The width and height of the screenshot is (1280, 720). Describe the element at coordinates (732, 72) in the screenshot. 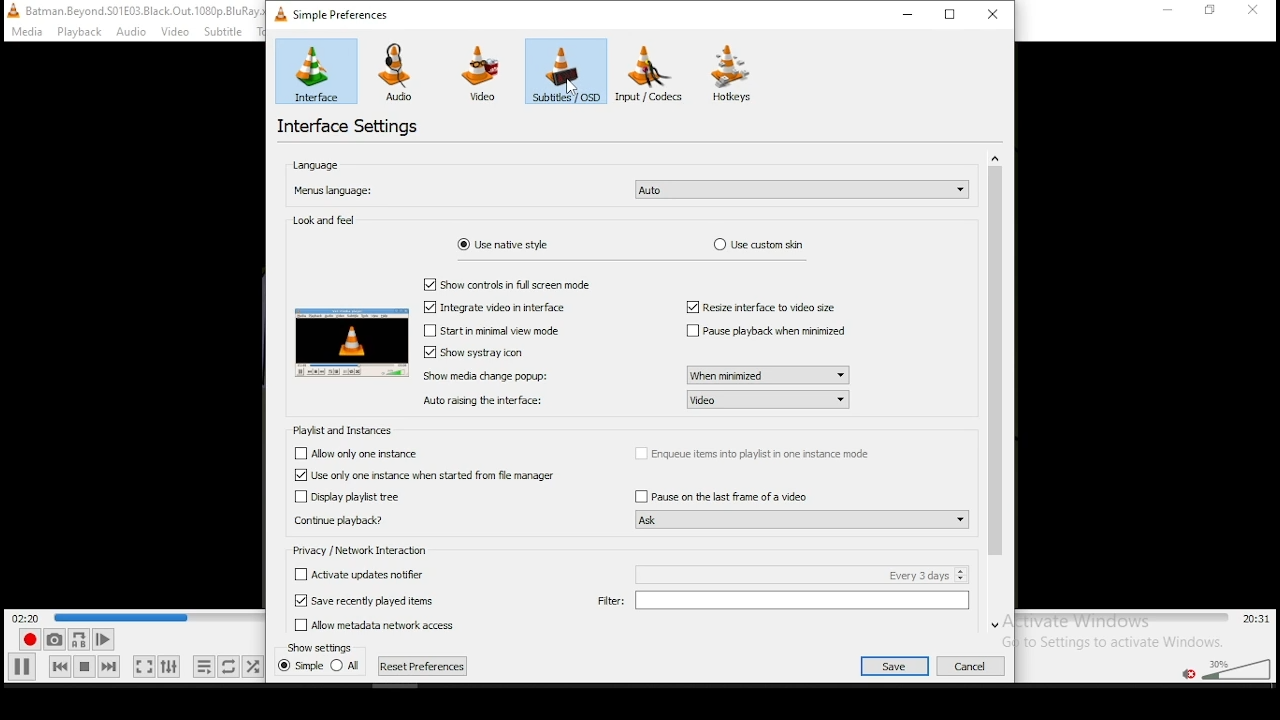

I see `hotkeys` at that location.